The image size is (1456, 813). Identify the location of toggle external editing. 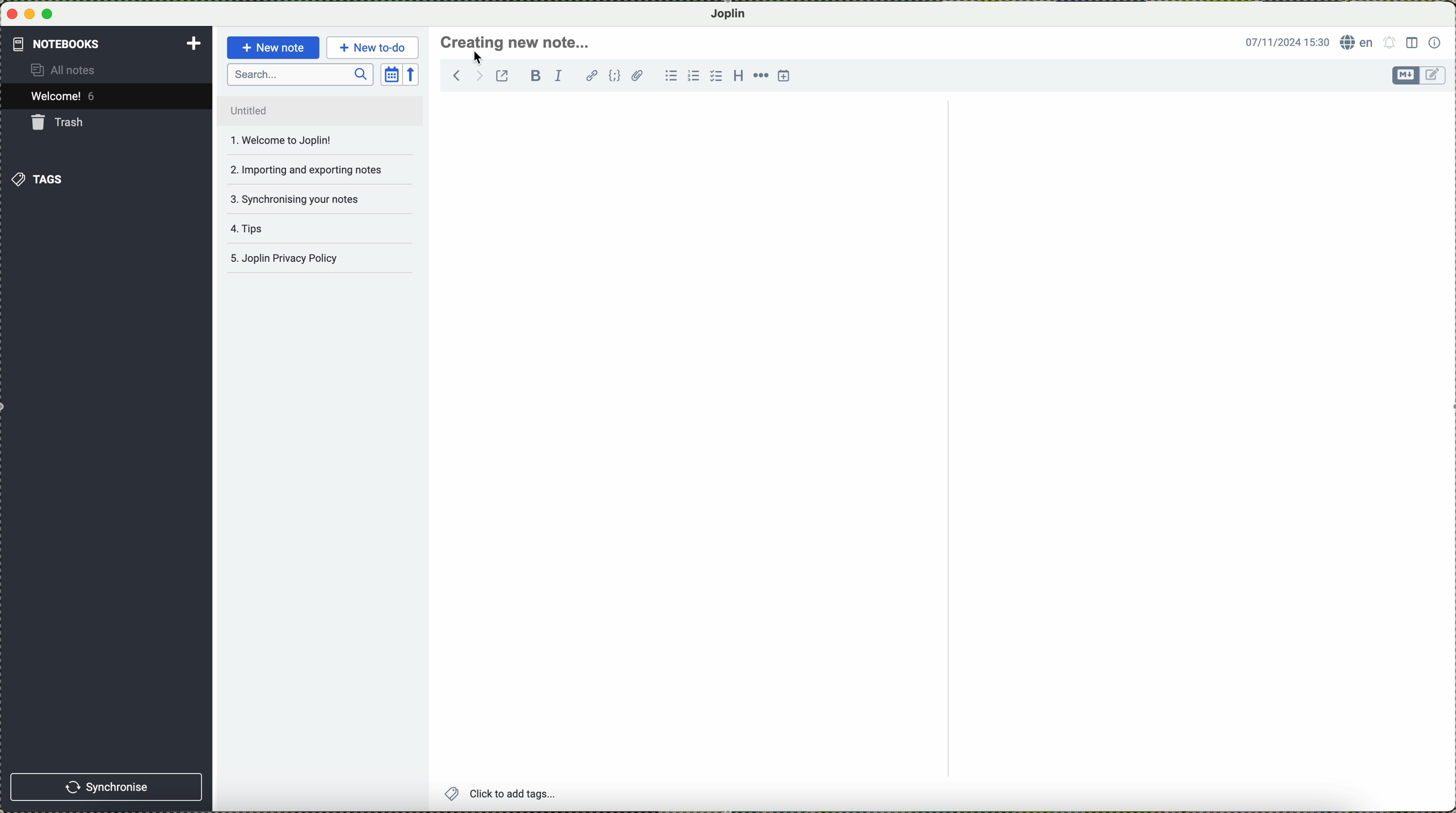
(502, 75).